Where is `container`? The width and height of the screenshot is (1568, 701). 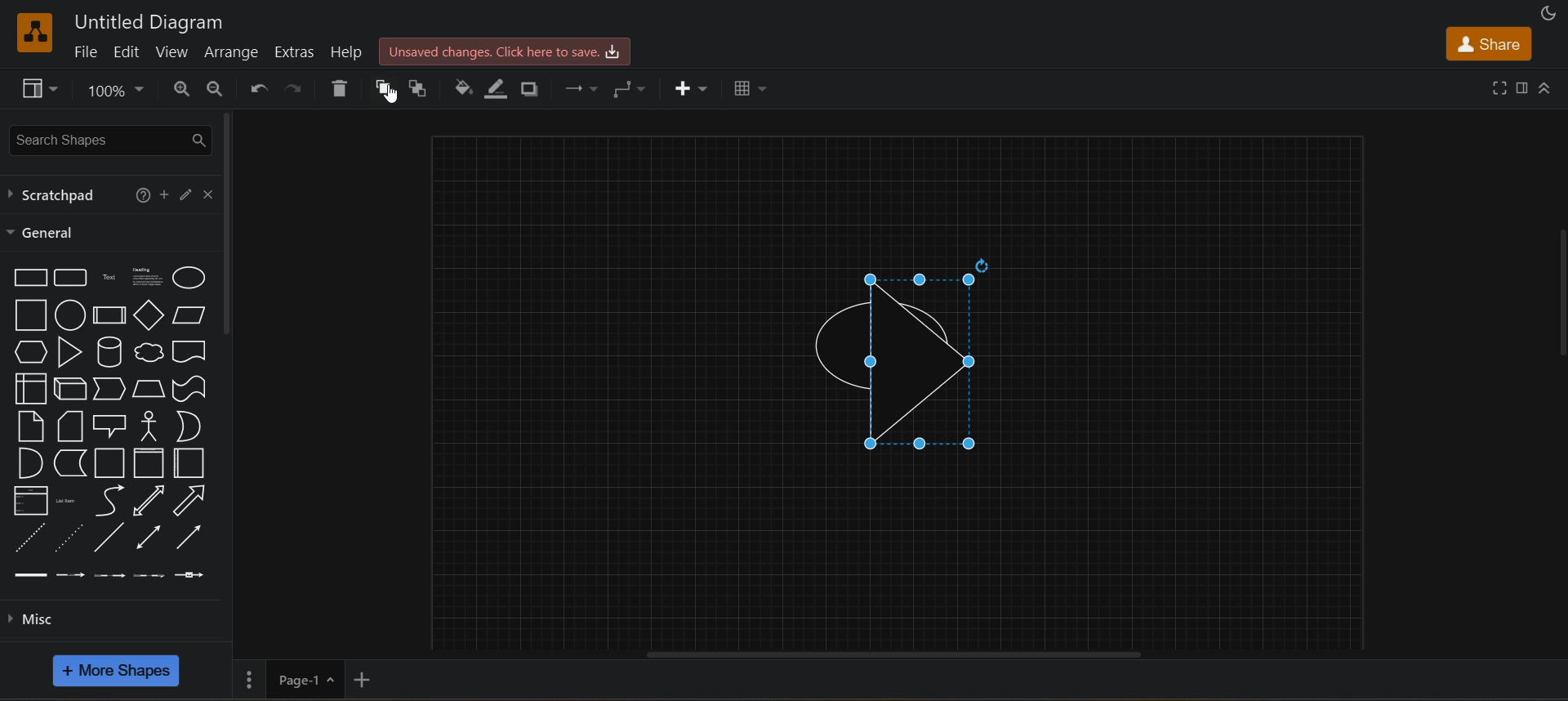
container is located at coordinates (147, 464).